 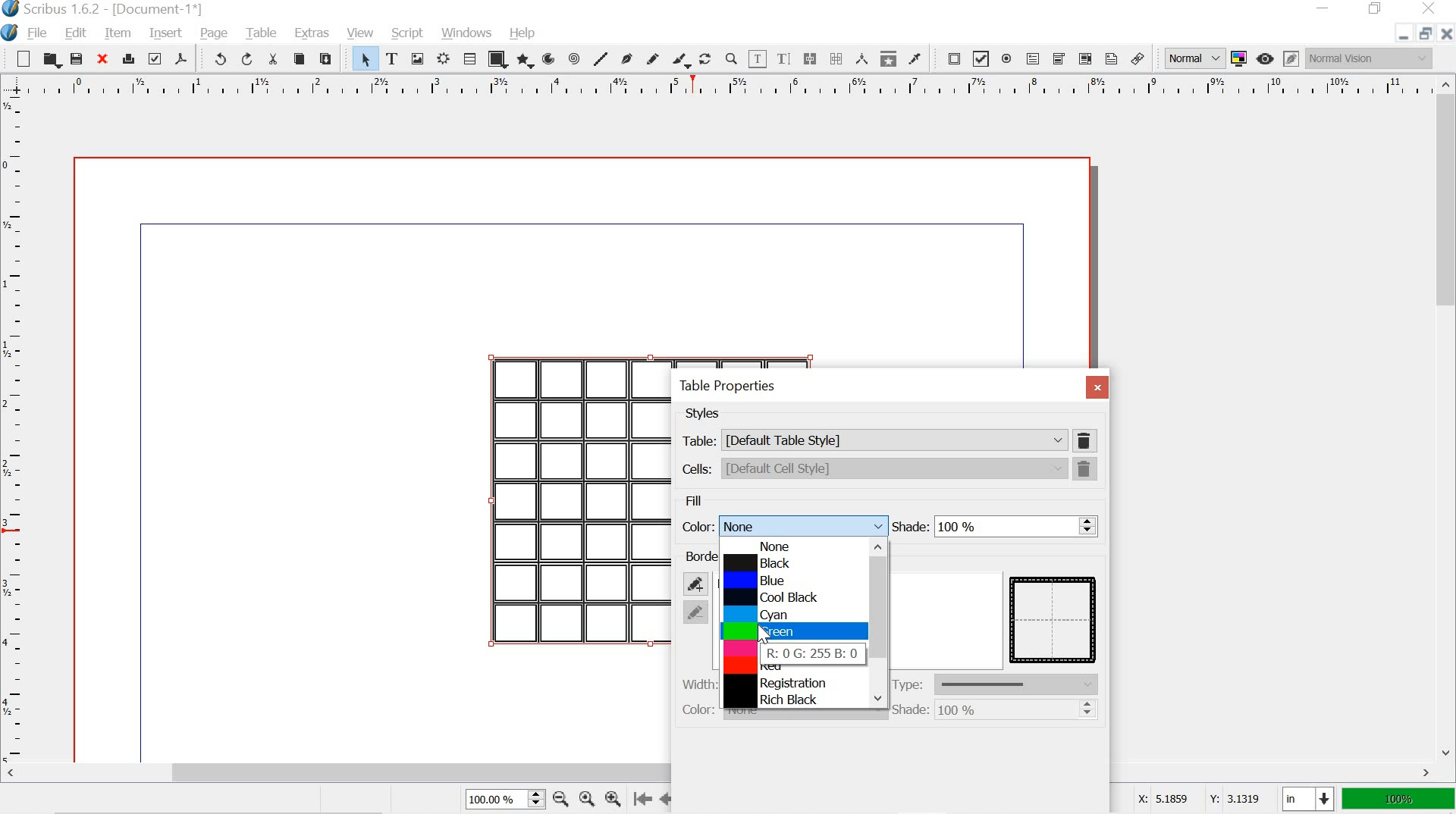 I want to click on edit text with story editor, so click(x=783, y=58).